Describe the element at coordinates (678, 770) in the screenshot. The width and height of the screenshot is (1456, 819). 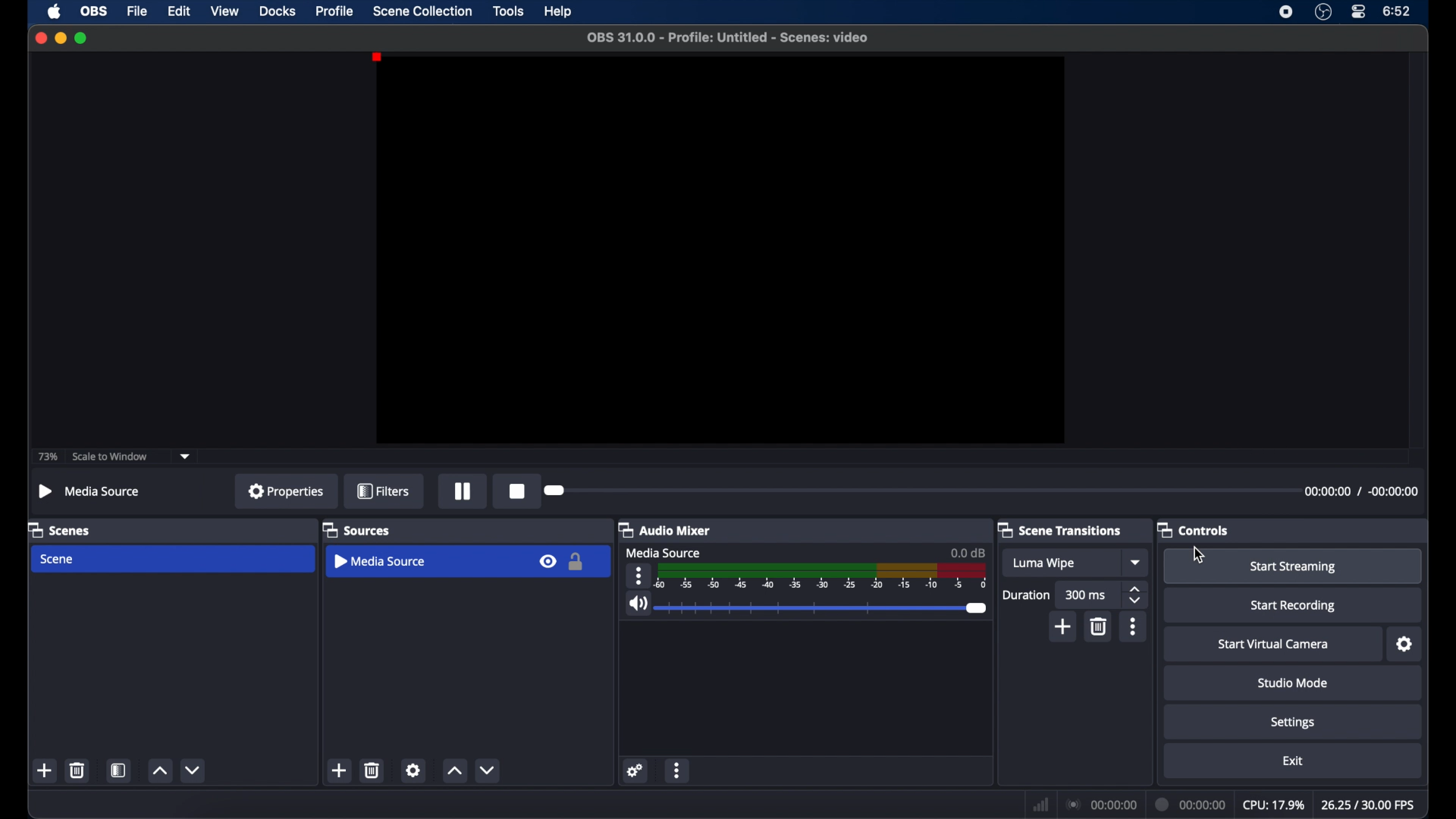
I see `more options` at that location.